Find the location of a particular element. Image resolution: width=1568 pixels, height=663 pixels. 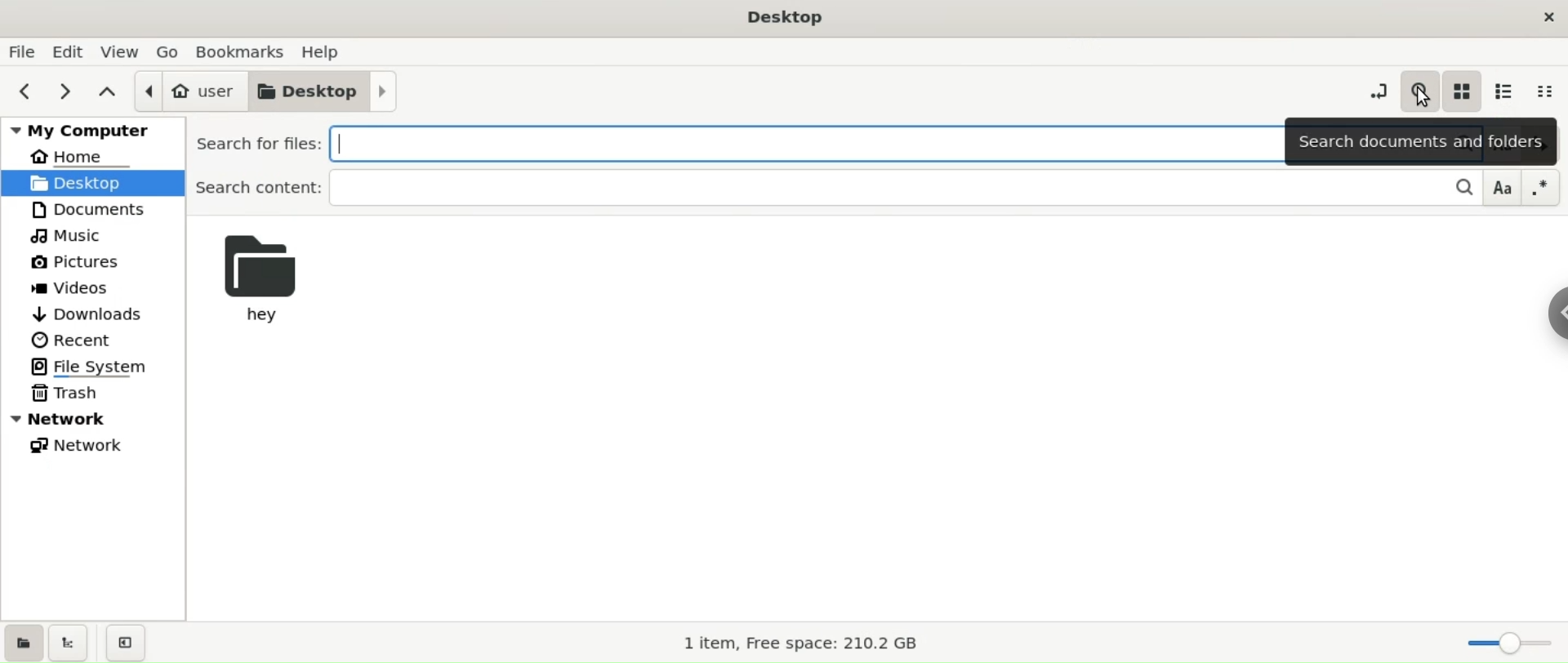

list view is located at coordinates (1510, 91).